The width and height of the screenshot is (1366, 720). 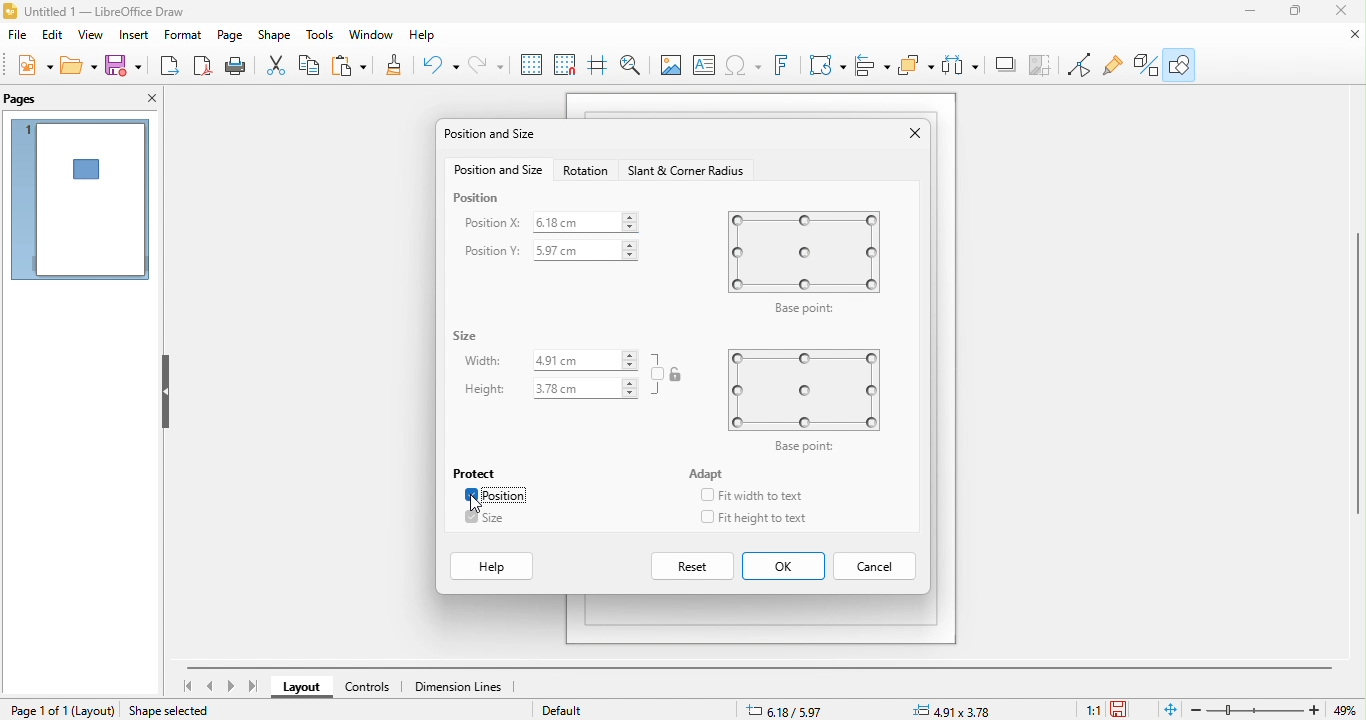 What do you see at coordinates (584, 389) in the screenshot?
I see `3.78 cm` at bounding box center [584, 389].